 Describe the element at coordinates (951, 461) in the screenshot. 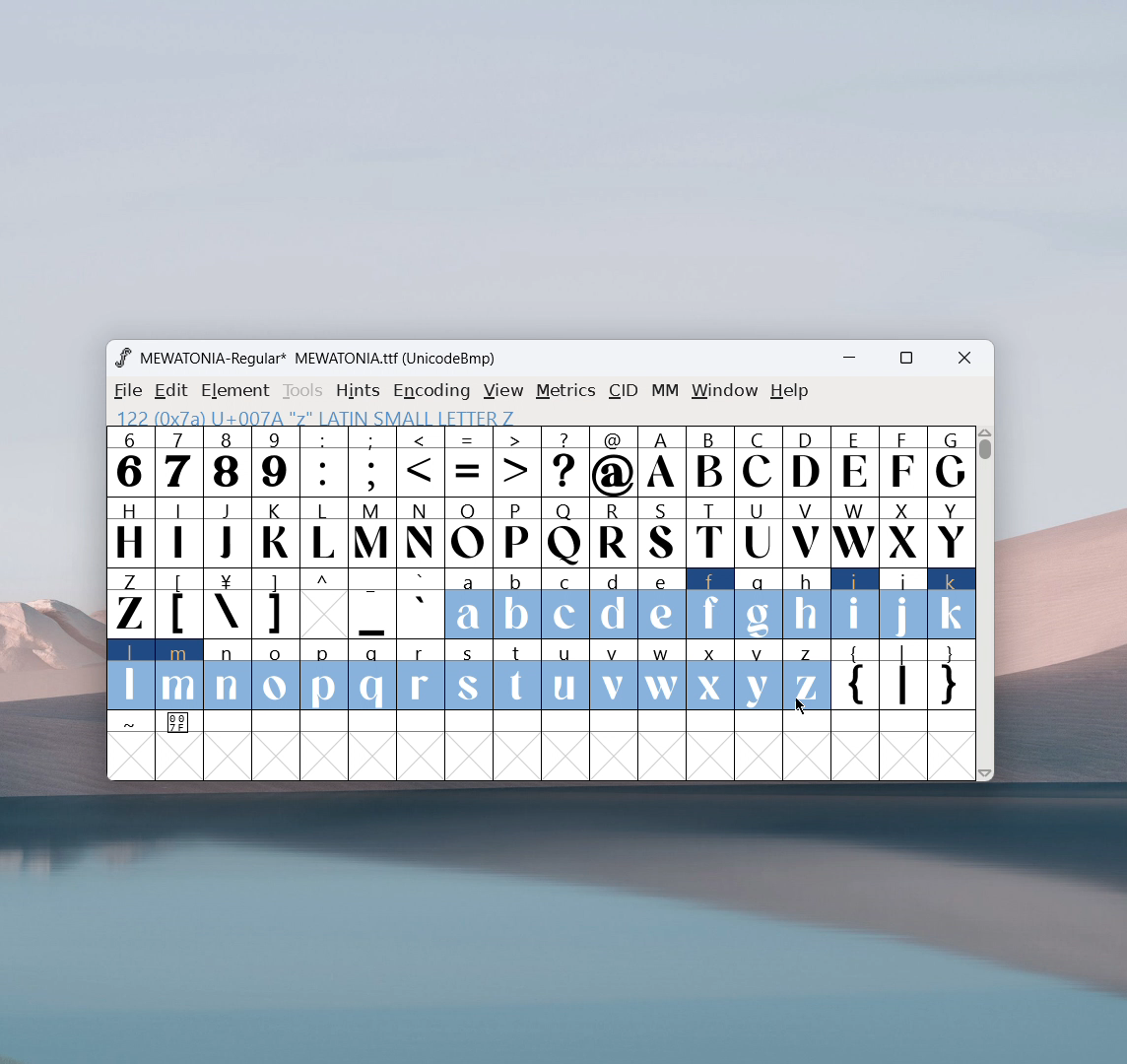

I see `G` at that location.